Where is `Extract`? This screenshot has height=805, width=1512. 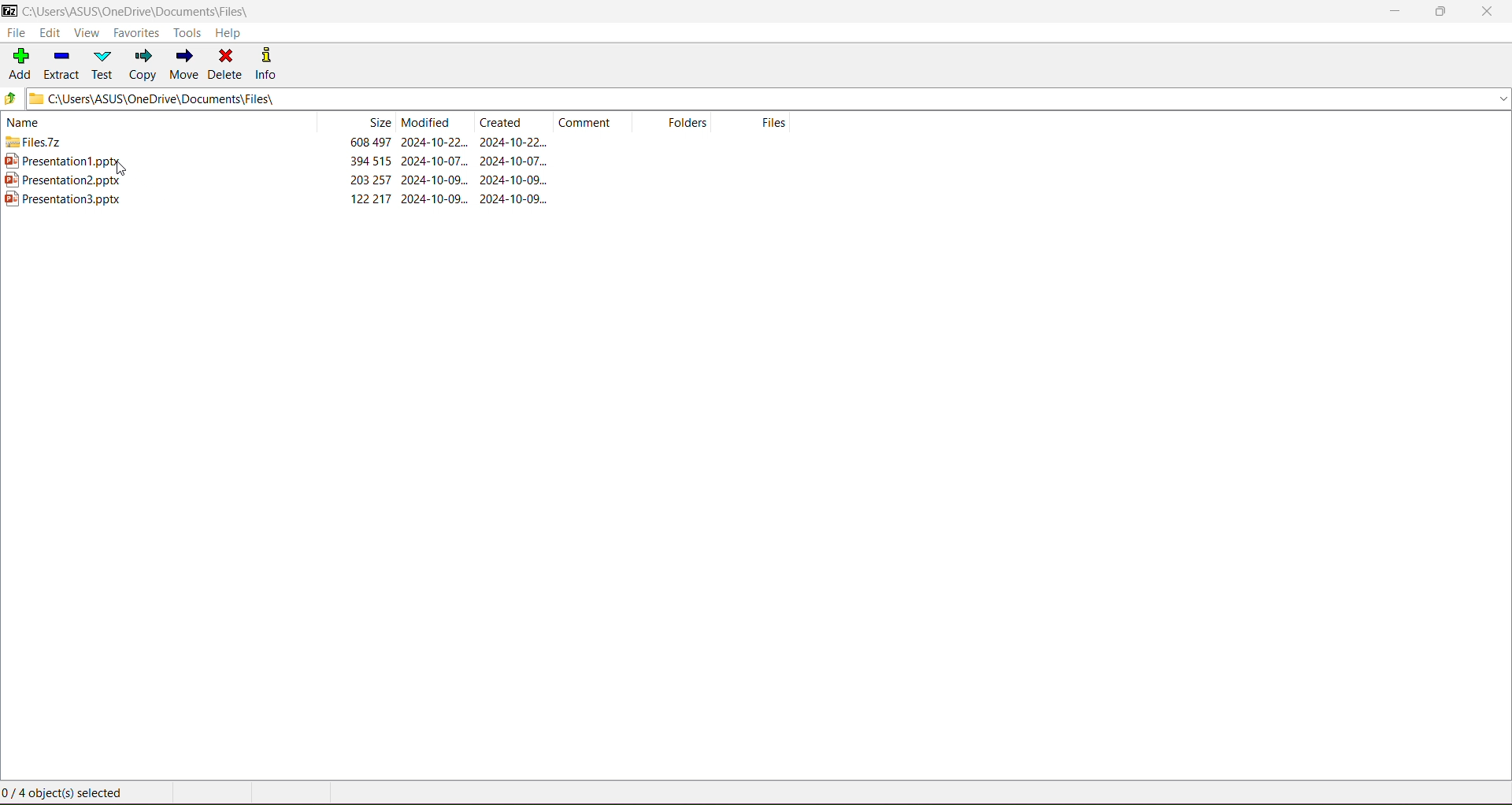 Extract is located at coordinates (59, 65).